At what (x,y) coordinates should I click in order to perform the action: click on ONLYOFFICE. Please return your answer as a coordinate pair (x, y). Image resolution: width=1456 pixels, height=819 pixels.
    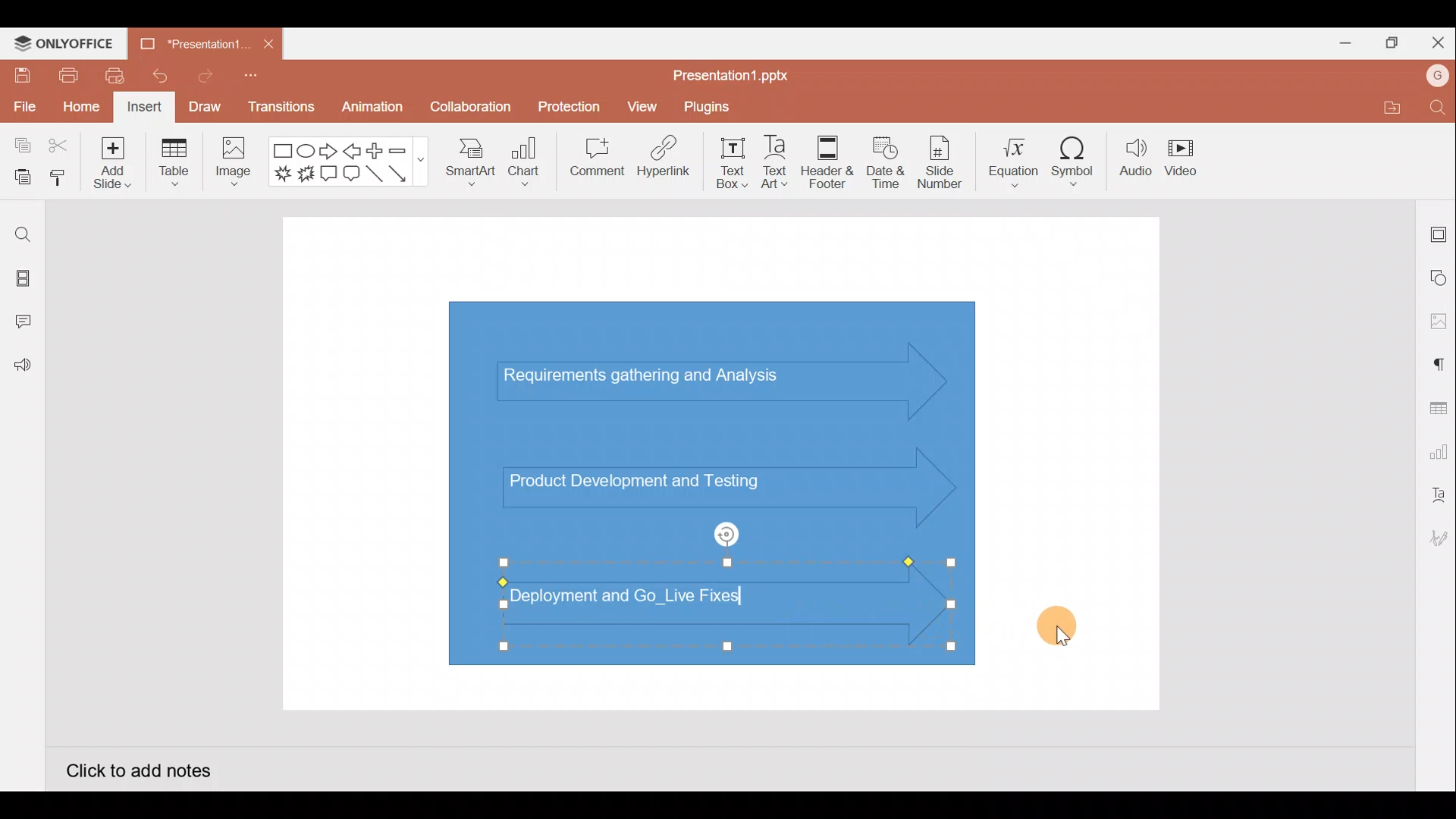
    Looking at the image, I should click on (64, 43).